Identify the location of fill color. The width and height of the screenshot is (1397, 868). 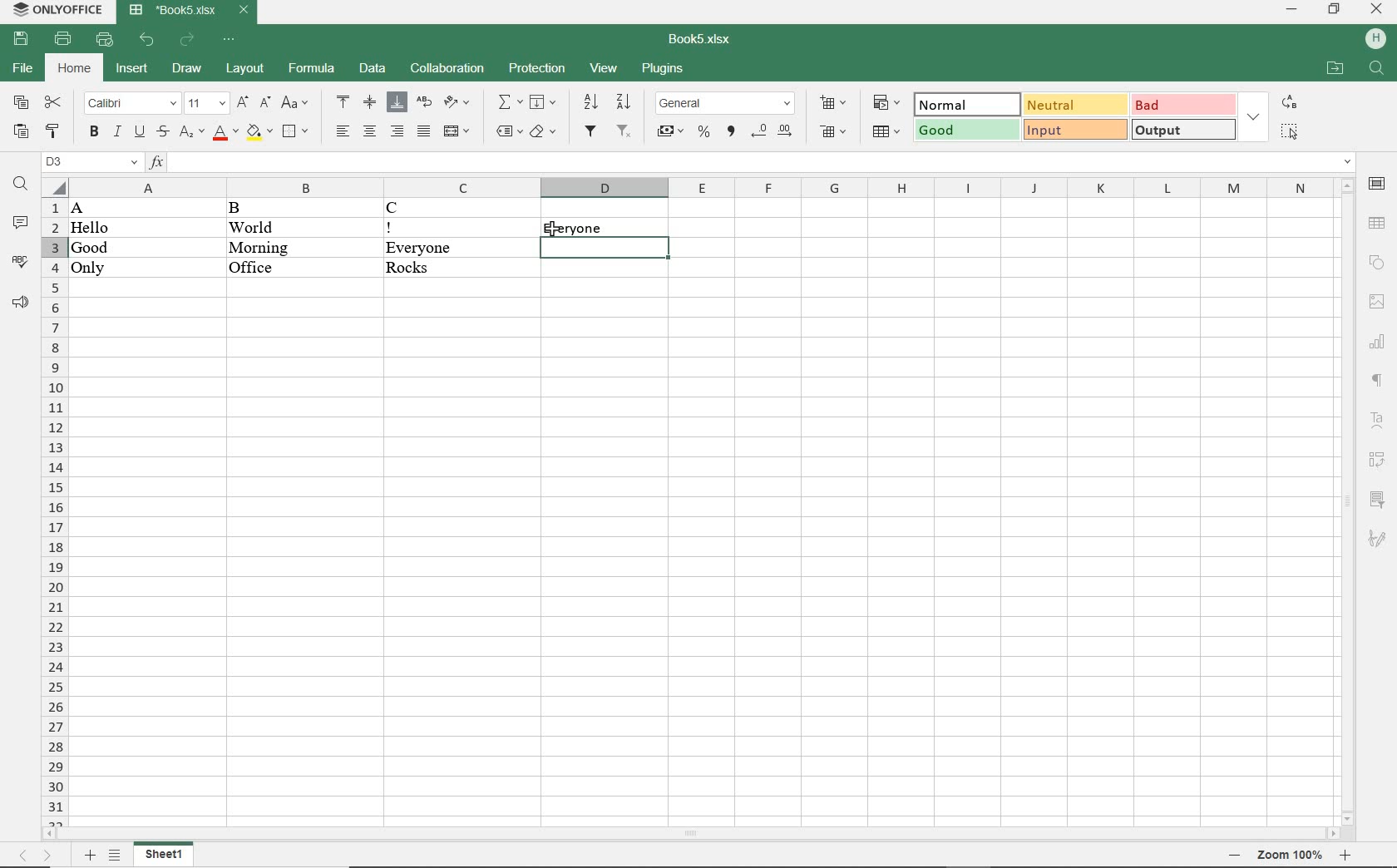
(260, 133).